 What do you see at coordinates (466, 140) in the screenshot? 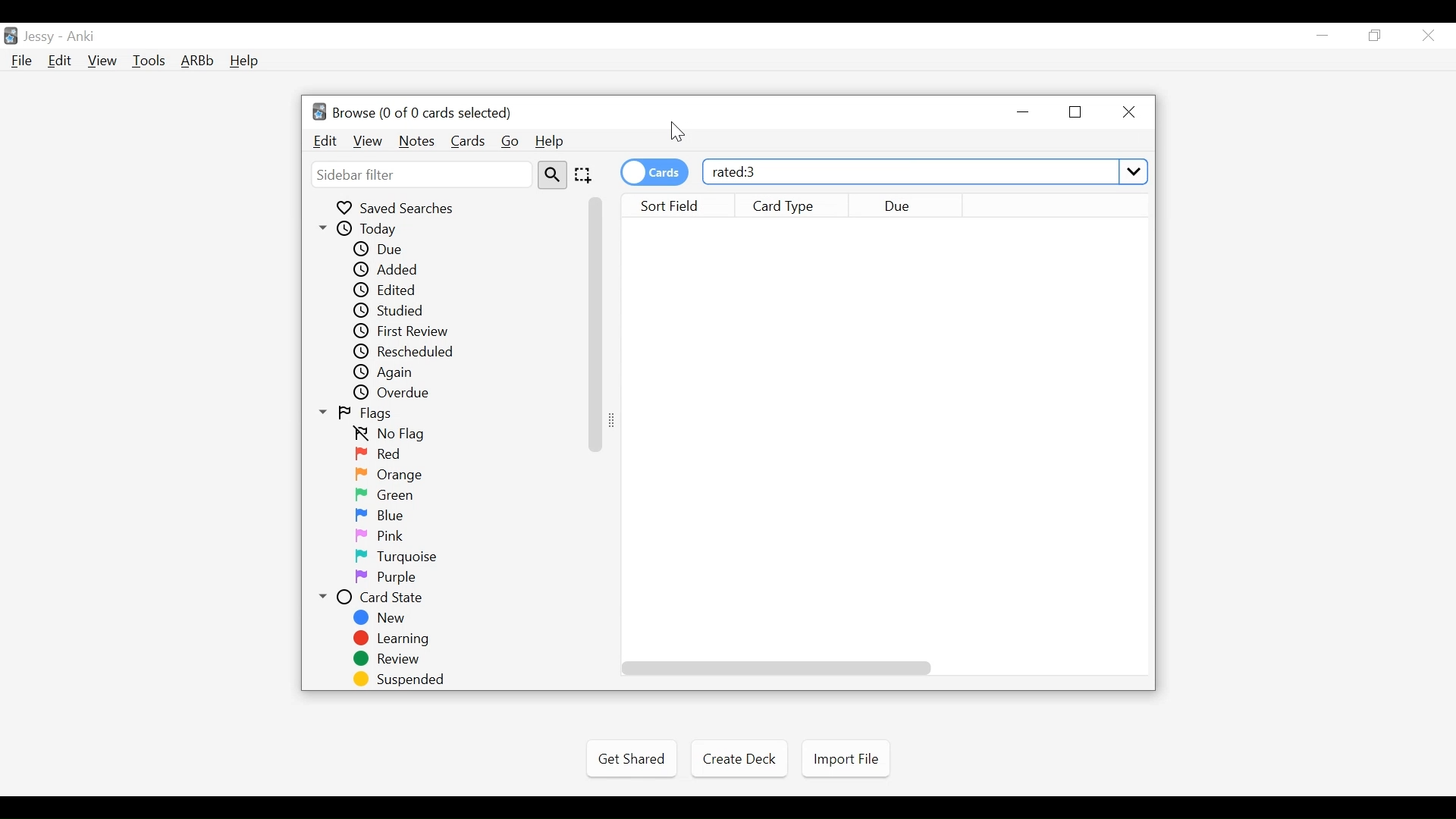
I see `Cards` at bounding box center [466, 140].